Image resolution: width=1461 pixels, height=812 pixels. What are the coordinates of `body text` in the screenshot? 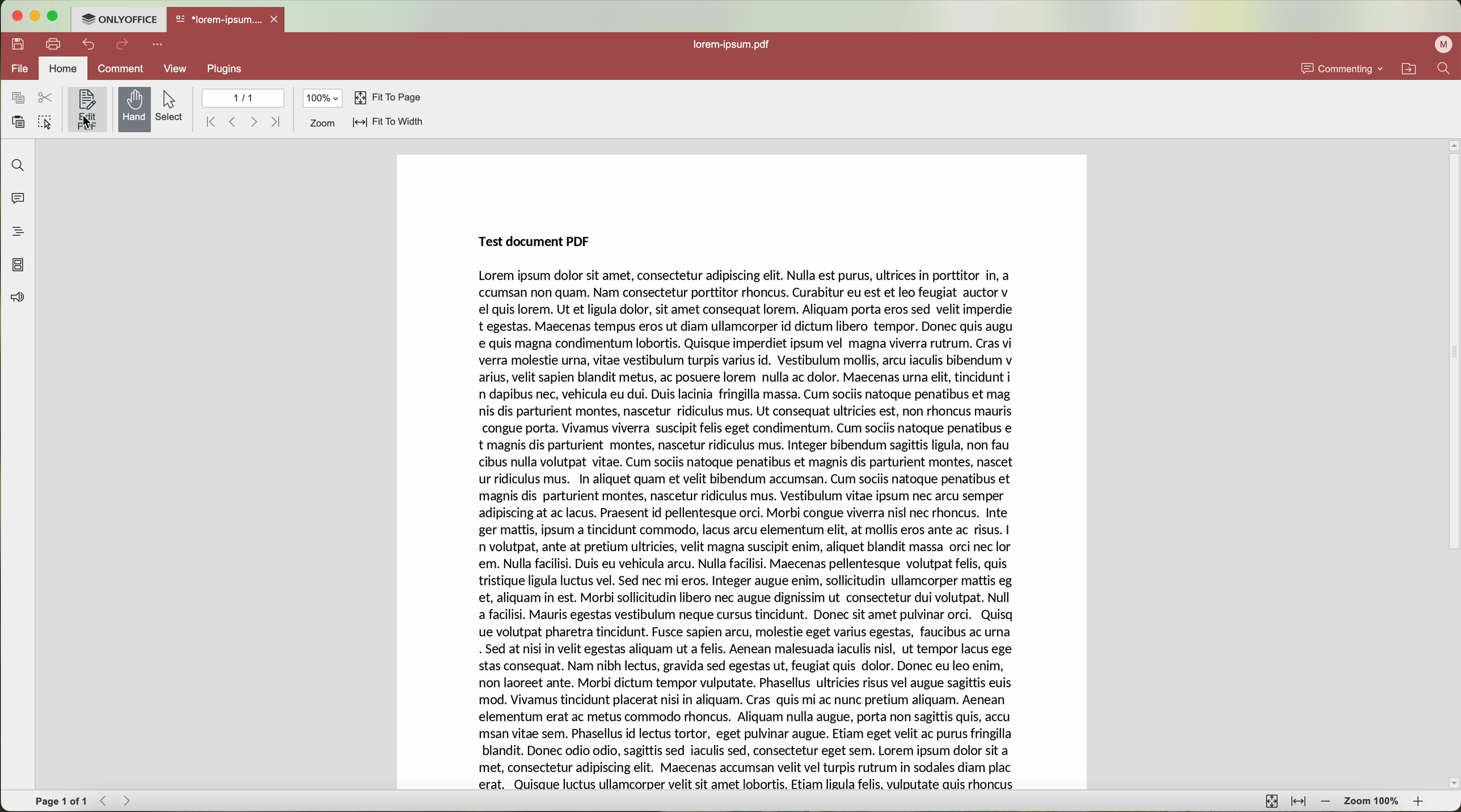 It's located at (745, 530).